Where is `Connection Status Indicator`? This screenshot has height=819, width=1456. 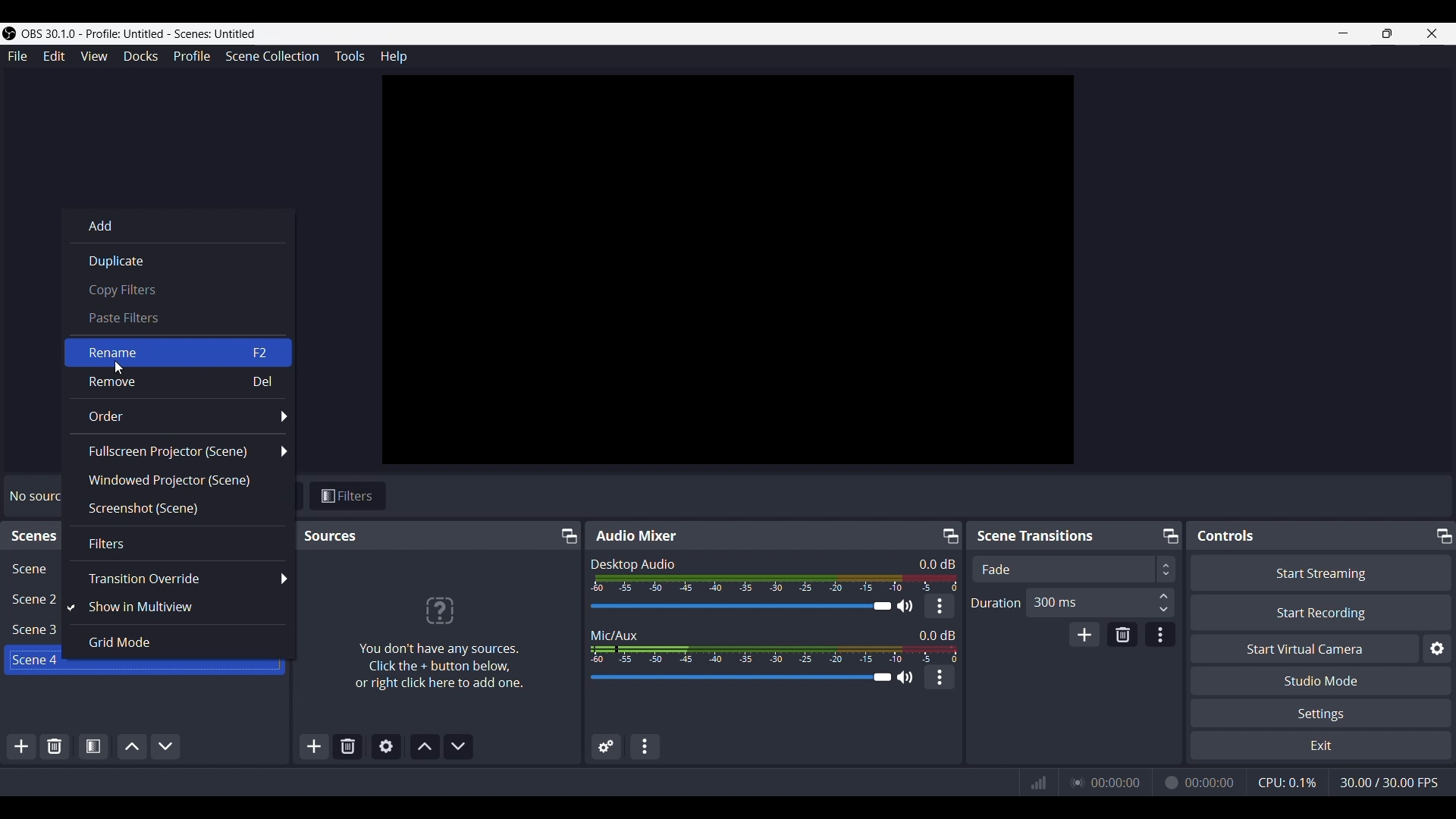 Connection Status Indicator is located at coordinates (1038, 783).